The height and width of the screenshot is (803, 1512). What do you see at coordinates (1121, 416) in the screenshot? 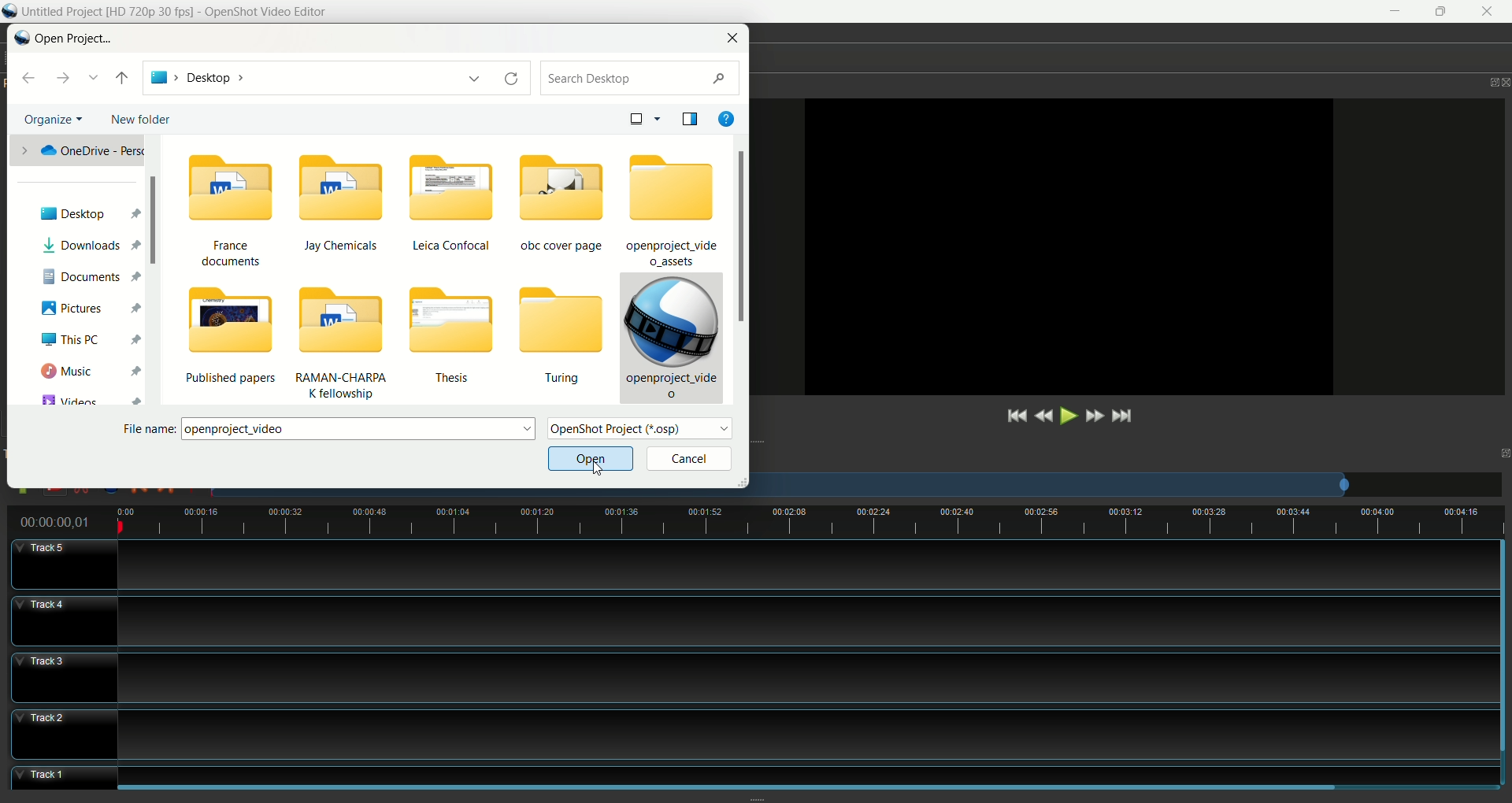
I see `jump to end` at bounding box center [1121, 416].